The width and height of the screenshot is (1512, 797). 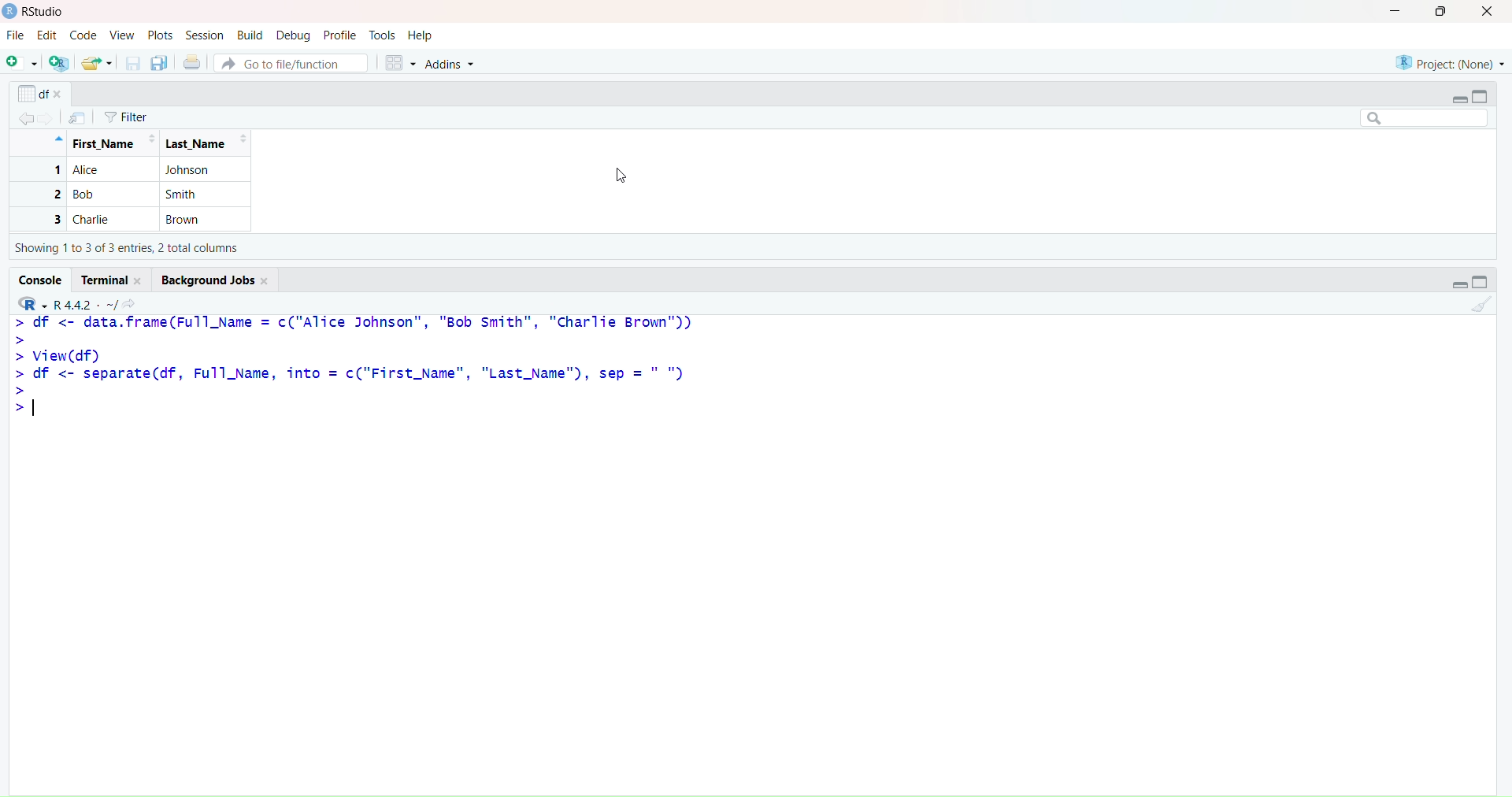 What do you see at coordinates (1458, 98) in the screenshot?
I see `Minimize` at bounding box center [1458, 98].